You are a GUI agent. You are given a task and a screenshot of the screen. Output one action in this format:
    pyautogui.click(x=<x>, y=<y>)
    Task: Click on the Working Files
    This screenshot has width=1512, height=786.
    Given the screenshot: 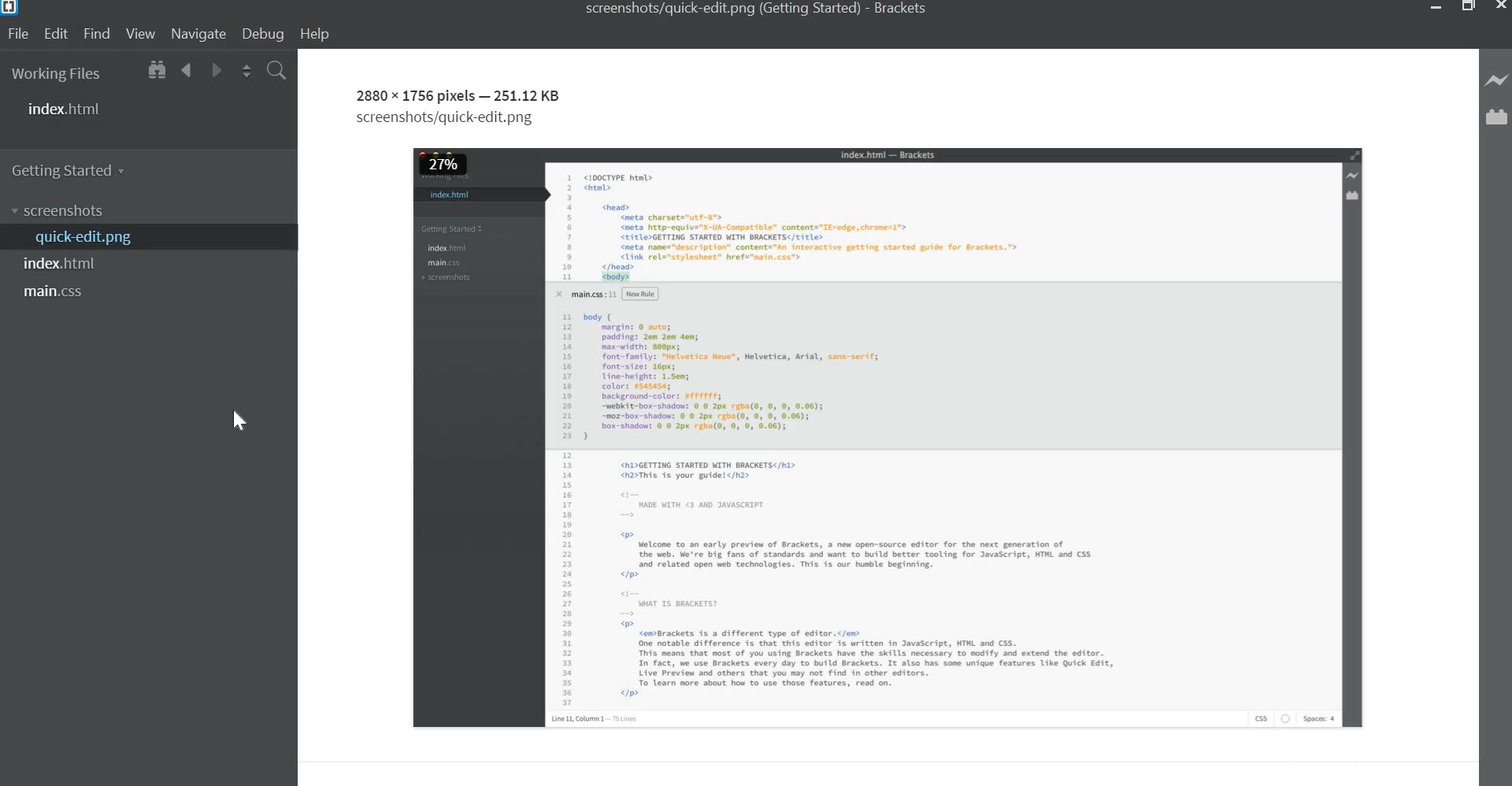 What is the action you would take?
    pyautogui.click(x=57, y=76)
    